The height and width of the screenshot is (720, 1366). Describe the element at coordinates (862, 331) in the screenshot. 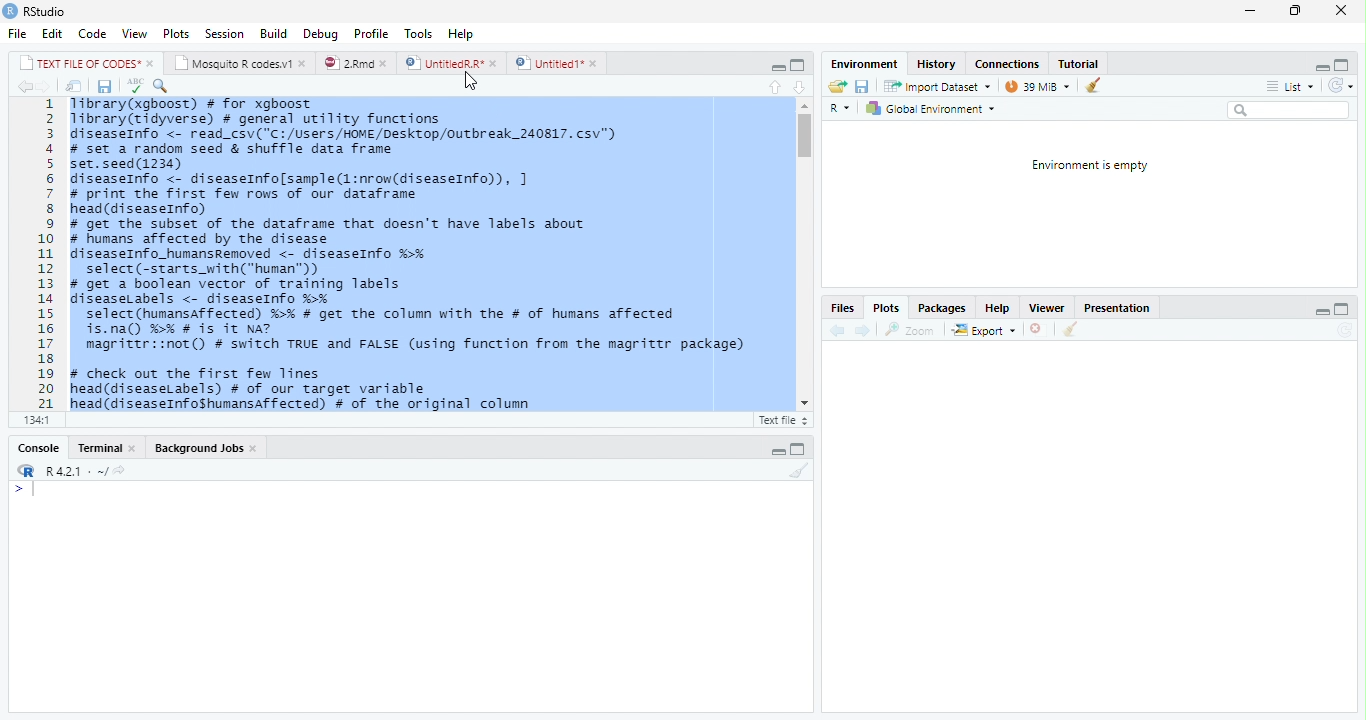

I see `Next` at that location.